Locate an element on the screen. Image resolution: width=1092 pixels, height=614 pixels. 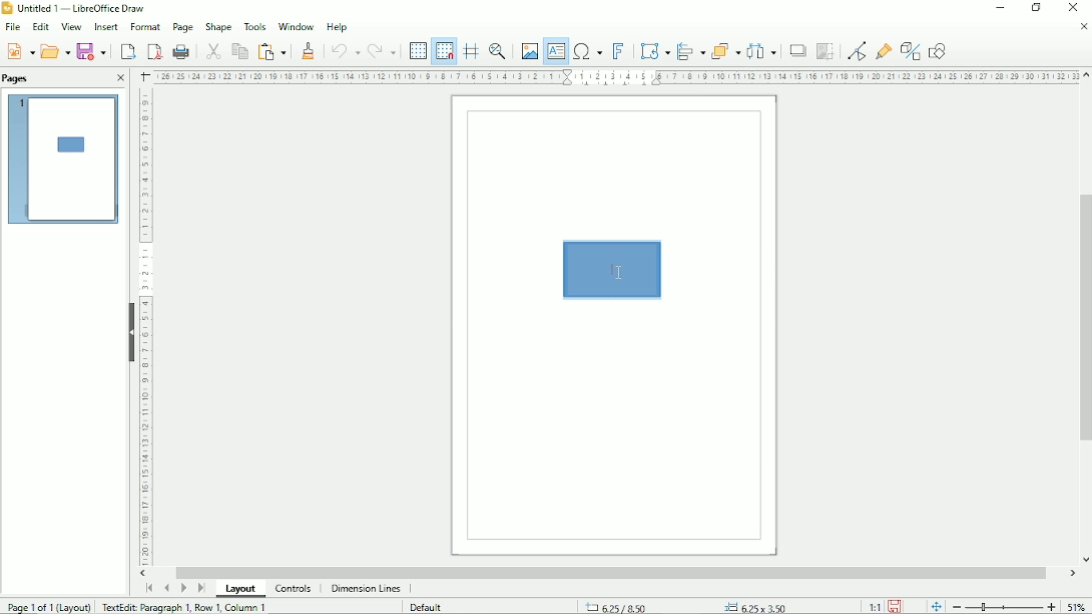
6.25x3.50 is located at coordinates (755, 605).